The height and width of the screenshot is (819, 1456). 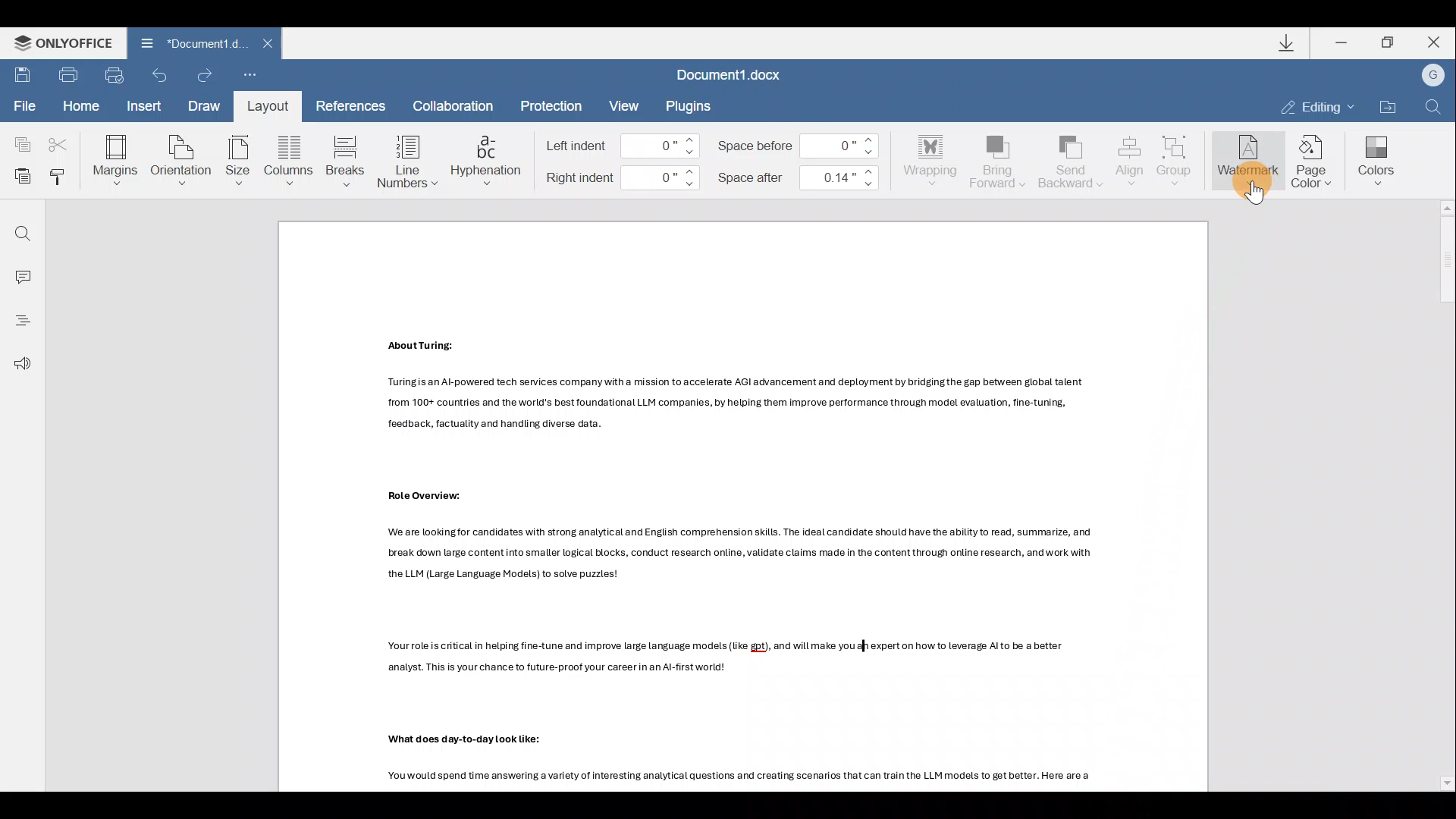 I want to click on Close, so click(x=271, y=43).